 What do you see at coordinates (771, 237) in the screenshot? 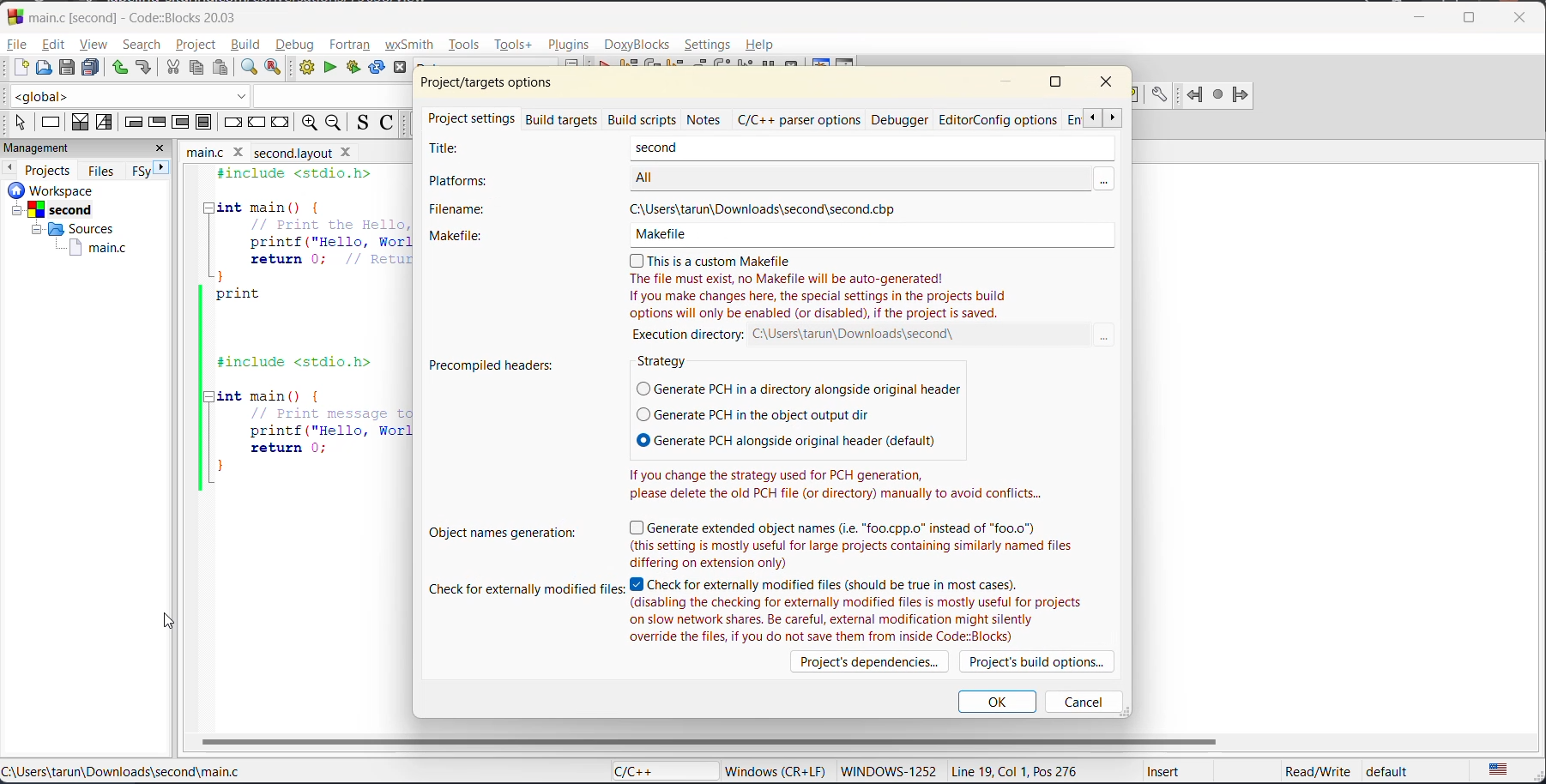
I see `makefile` at bounding box center [771, 237].